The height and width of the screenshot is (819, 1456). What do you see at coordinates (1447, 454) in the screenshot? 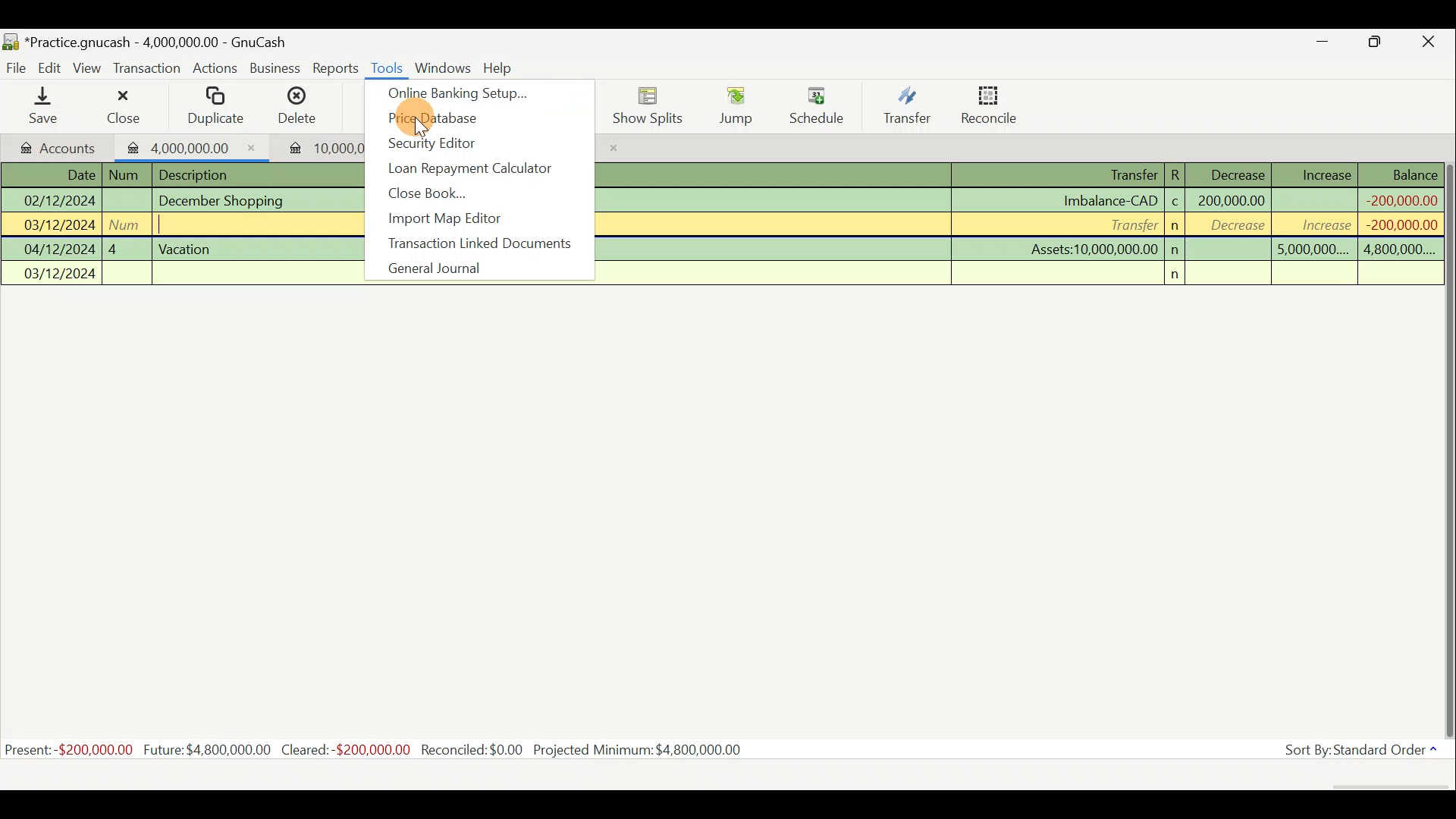
I see `Scroll bar` at bounding box center [1447, 454].